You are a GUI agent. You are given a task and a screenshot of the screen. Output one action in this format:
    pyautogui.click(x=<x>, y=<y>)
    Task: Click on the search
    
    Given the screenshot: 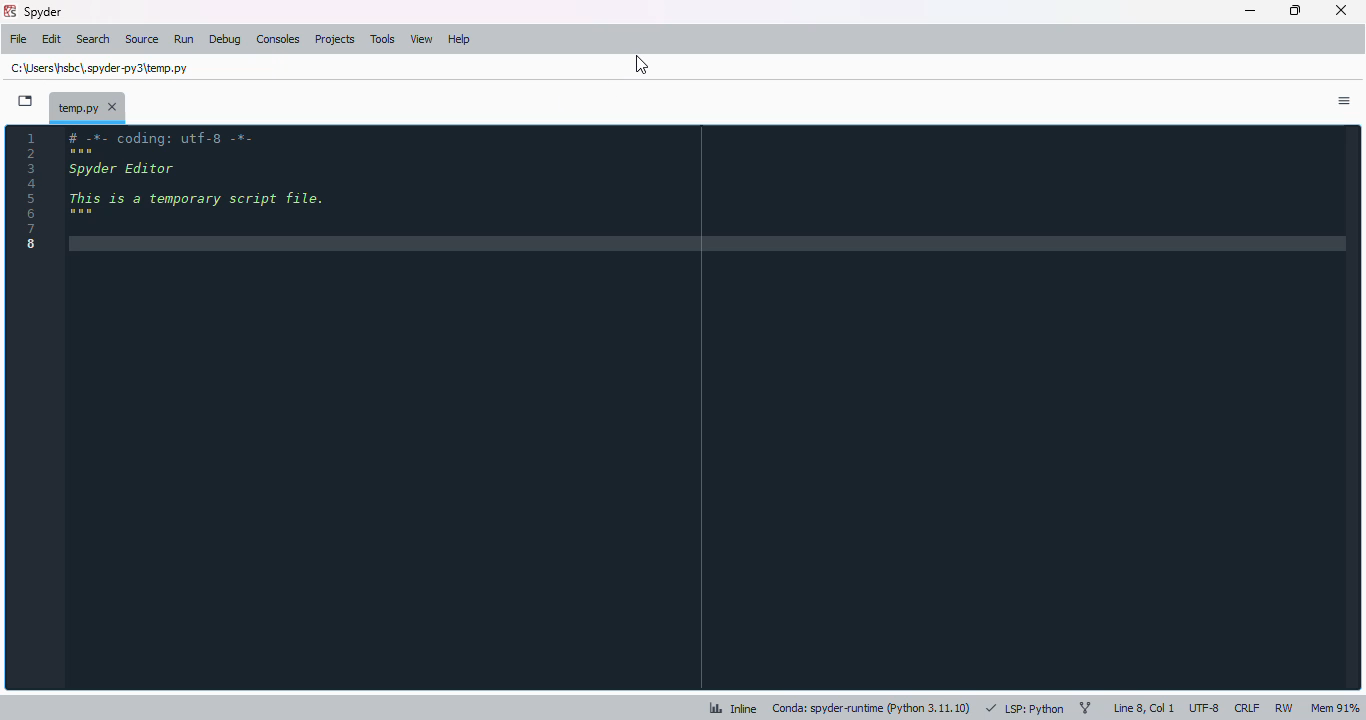 What is the action you would take?
    pyautogui.click(x=94, y=39)
    